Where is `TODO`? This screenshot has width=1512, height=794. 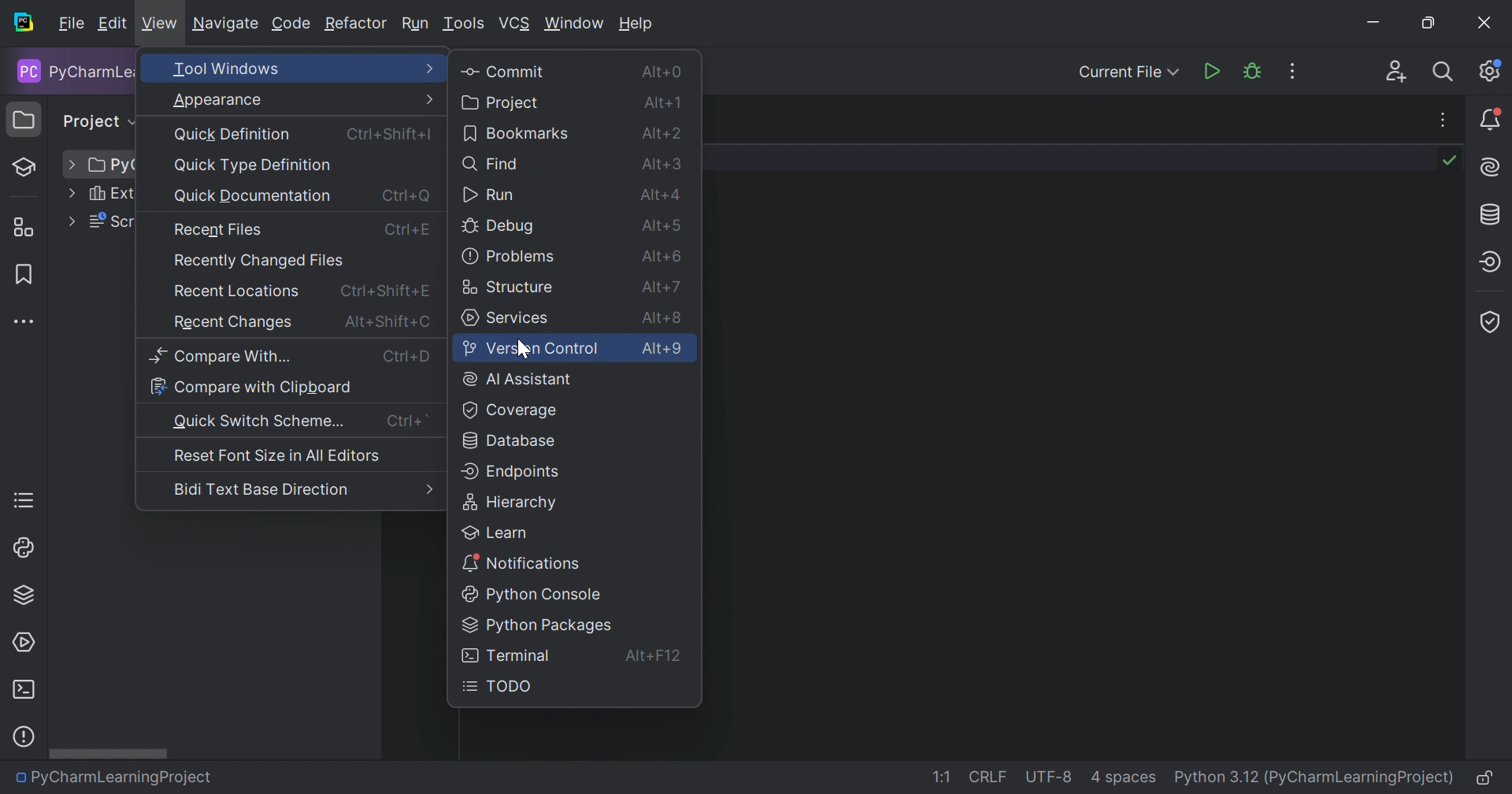 TODO is located at coordinates (24, 500).